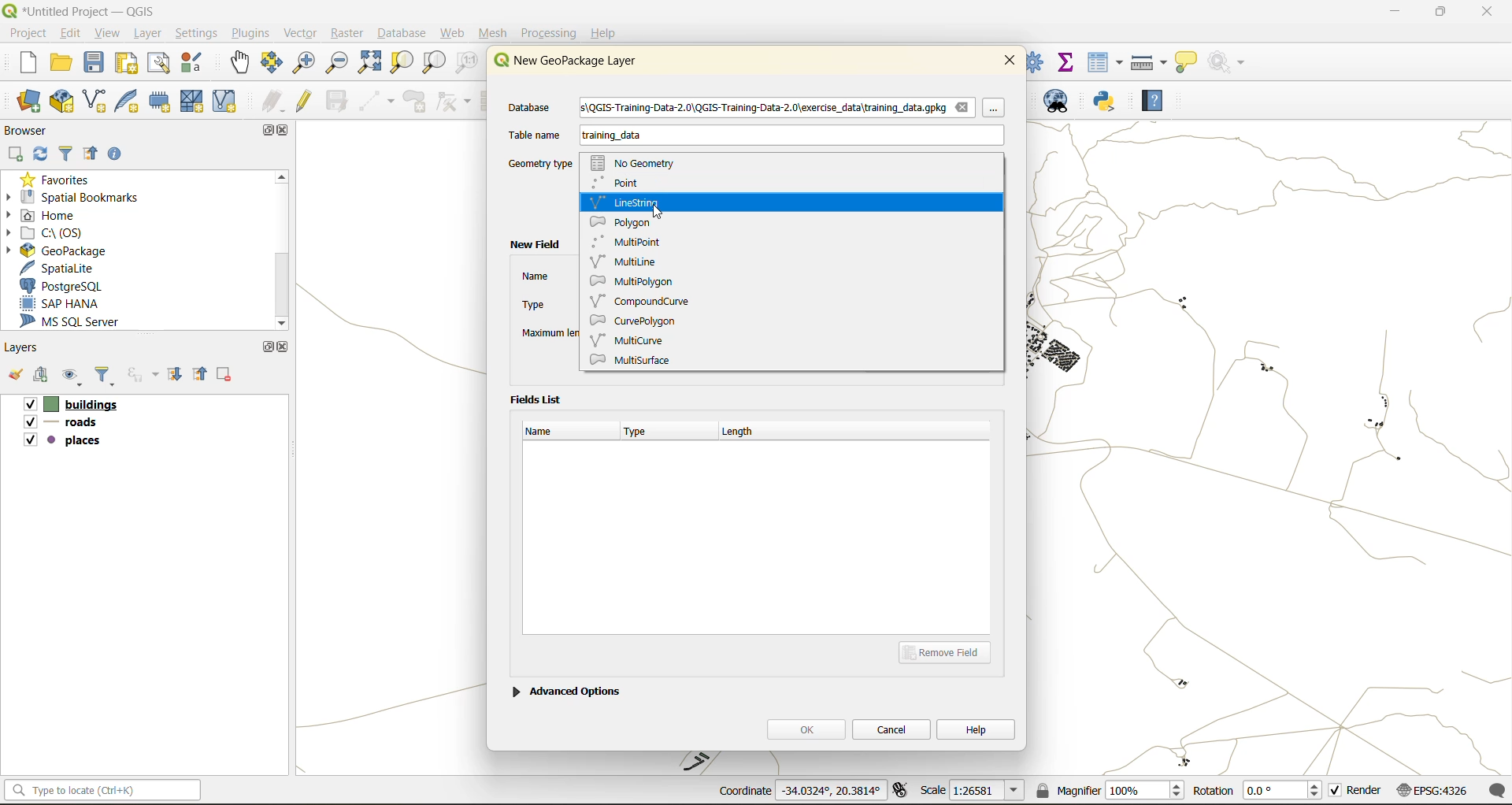 This screenshot has height=805, width=1512. What do you see at coordinates (1036, 61) in the screenshot?
I see `control panel` at bounding box center [1036, 61].